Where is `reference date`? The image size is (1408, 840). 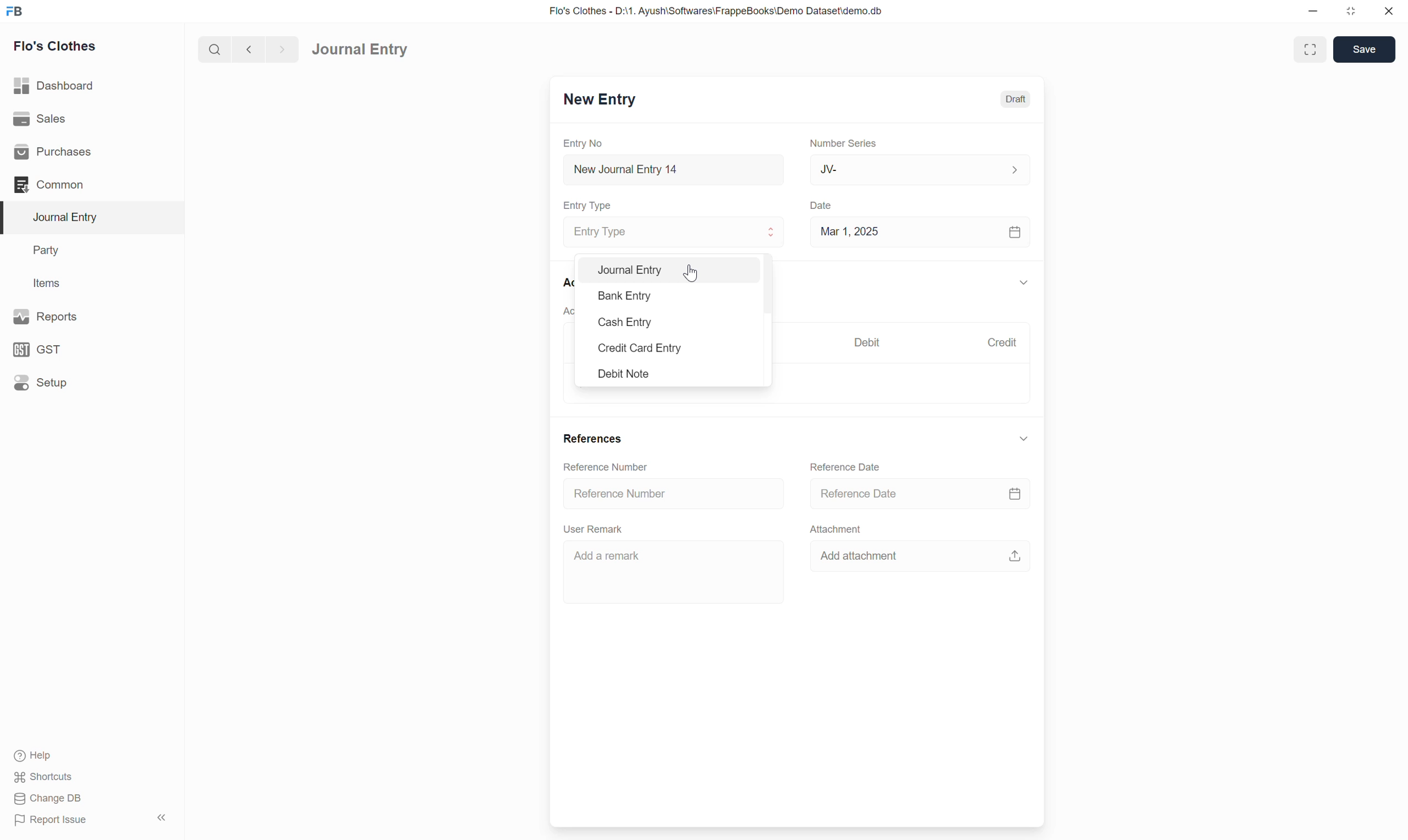
reference date is located at coordinates (896, 492).